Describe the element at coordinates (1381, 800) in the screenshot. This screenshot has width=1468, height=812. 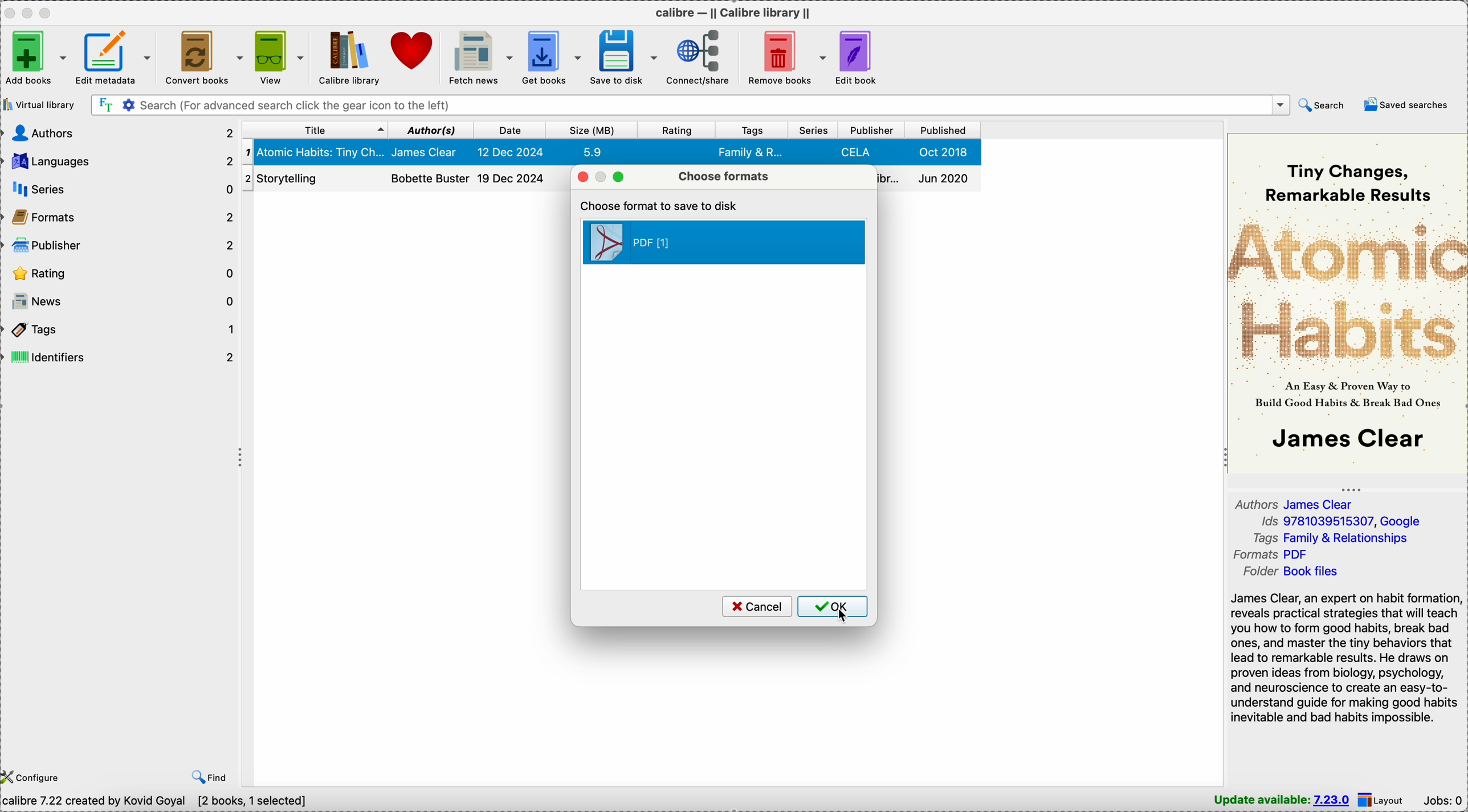
I see `layout` at that location.